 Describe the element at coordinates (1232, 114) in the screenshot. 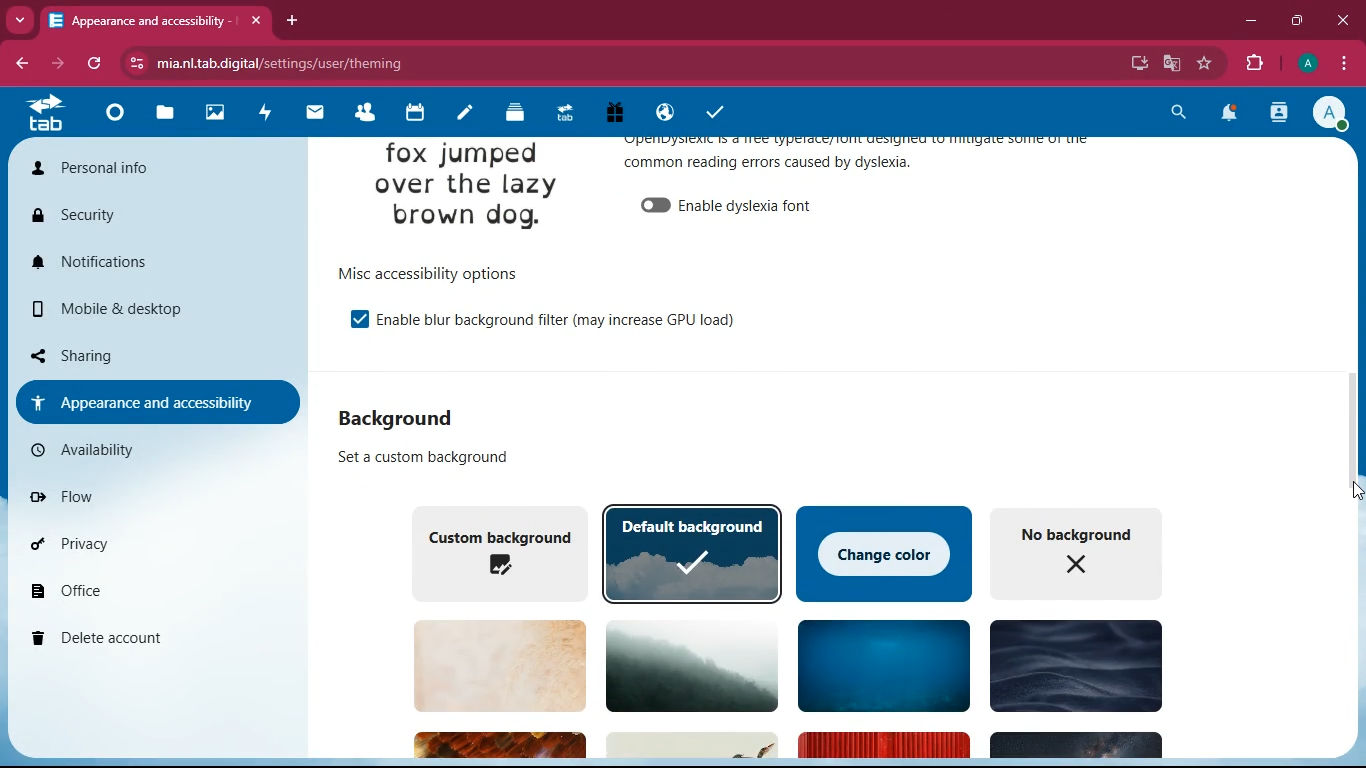

I see `notifications` at that location.